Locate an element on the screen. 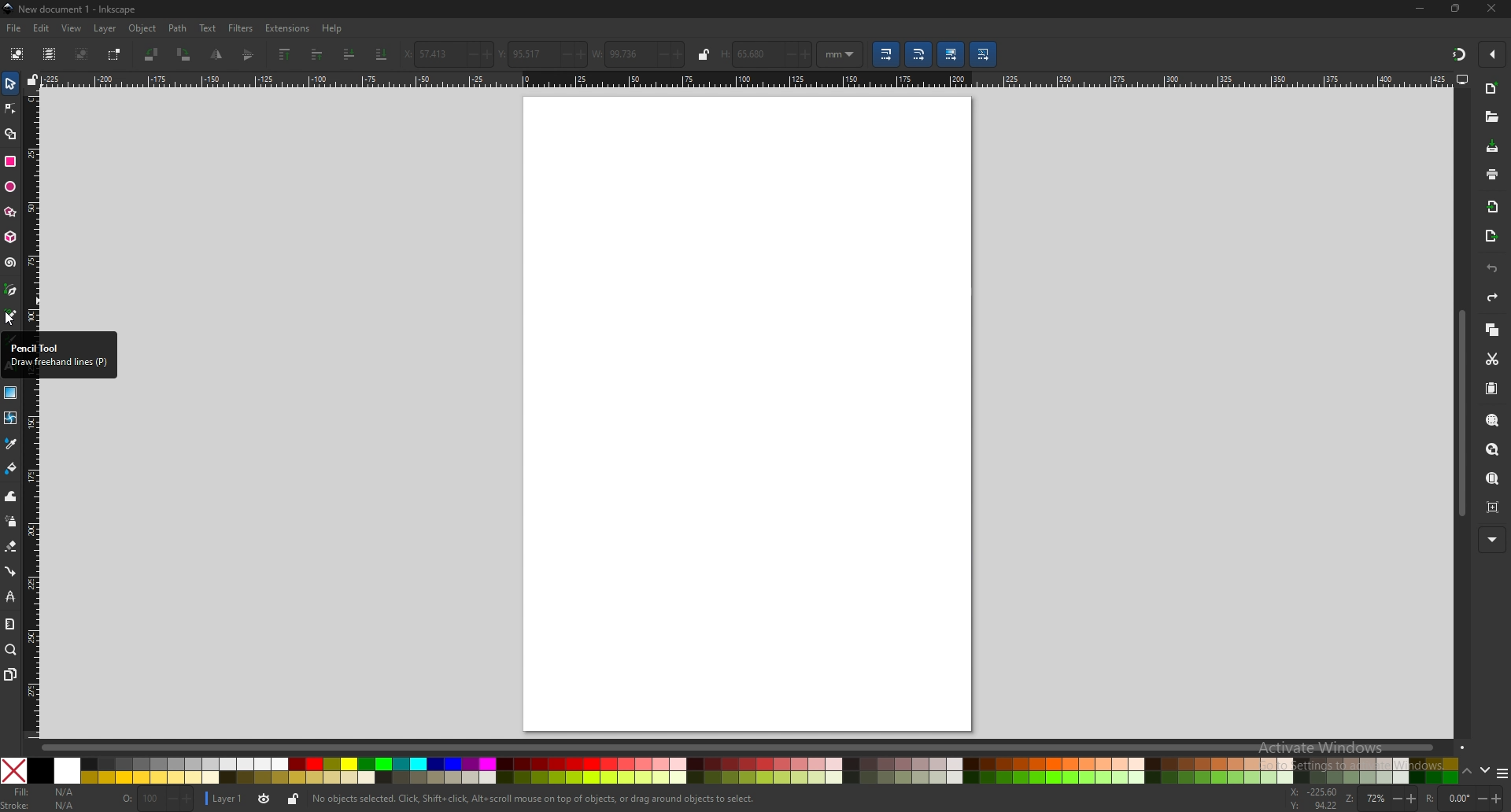 This screenshot has height=812, width=1511. scroll bar is located at coordinates (1461, 414).